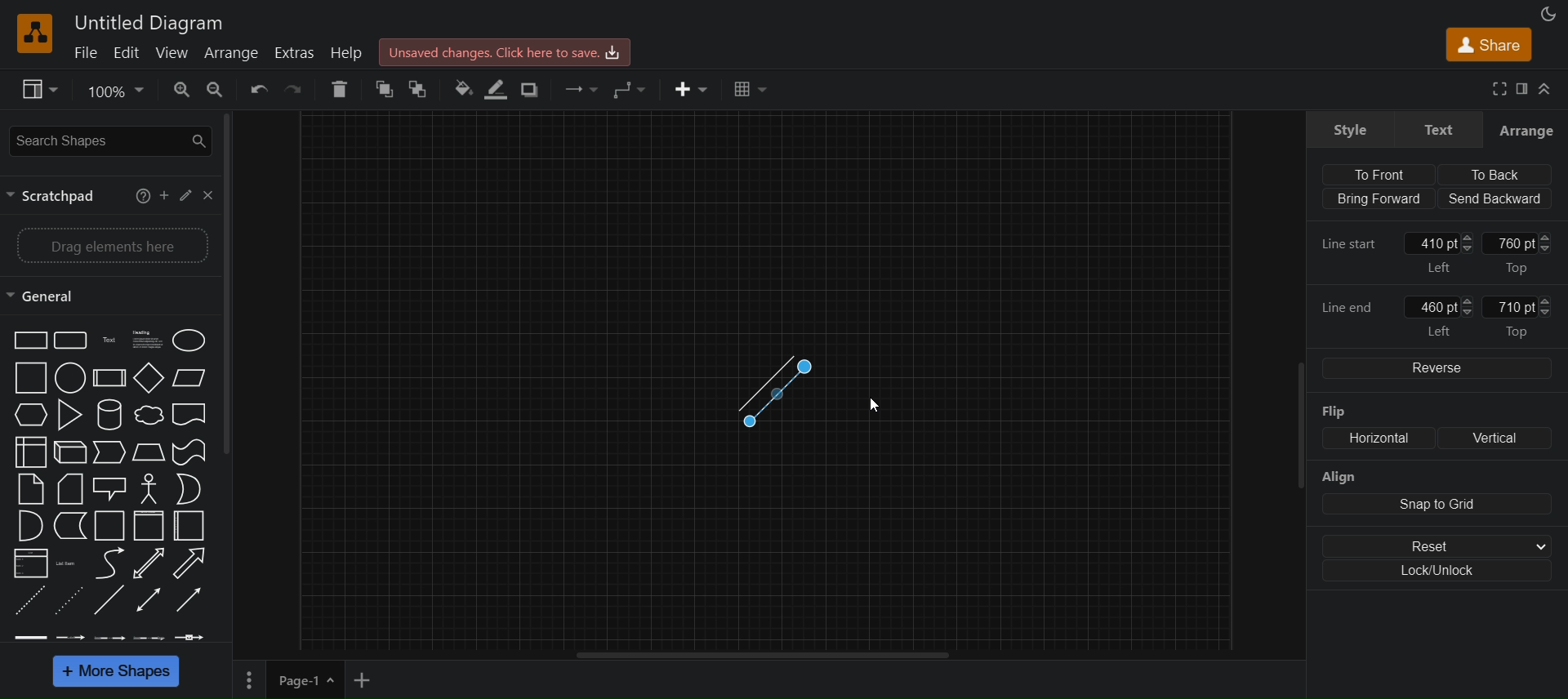  What do you see at coordinates (1441, 573) in the screenshot?
I see `lock/unlock` at bounding box center [1441, 573].